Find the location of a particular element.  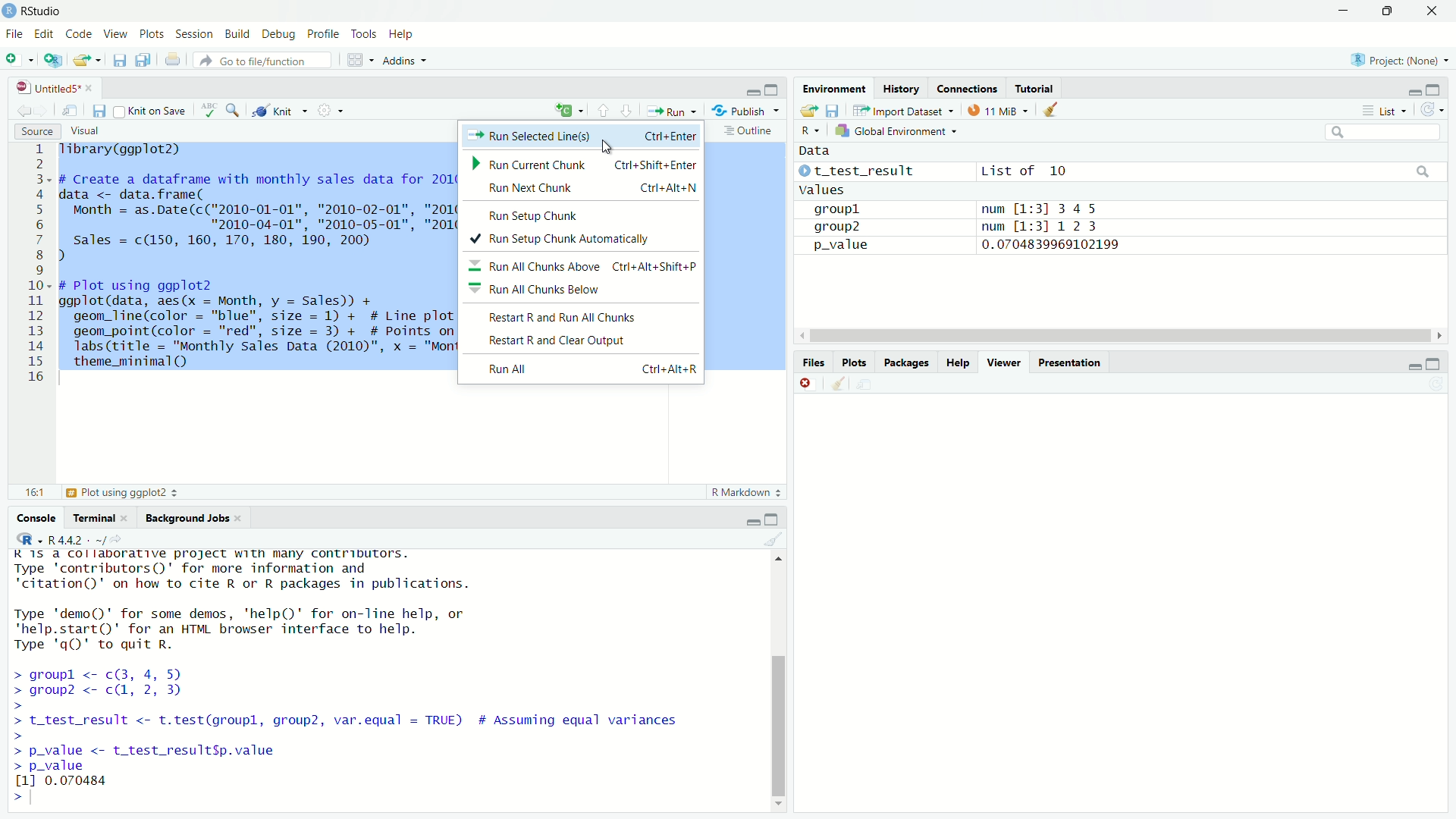

print current file is located at coordinates (171, 59).